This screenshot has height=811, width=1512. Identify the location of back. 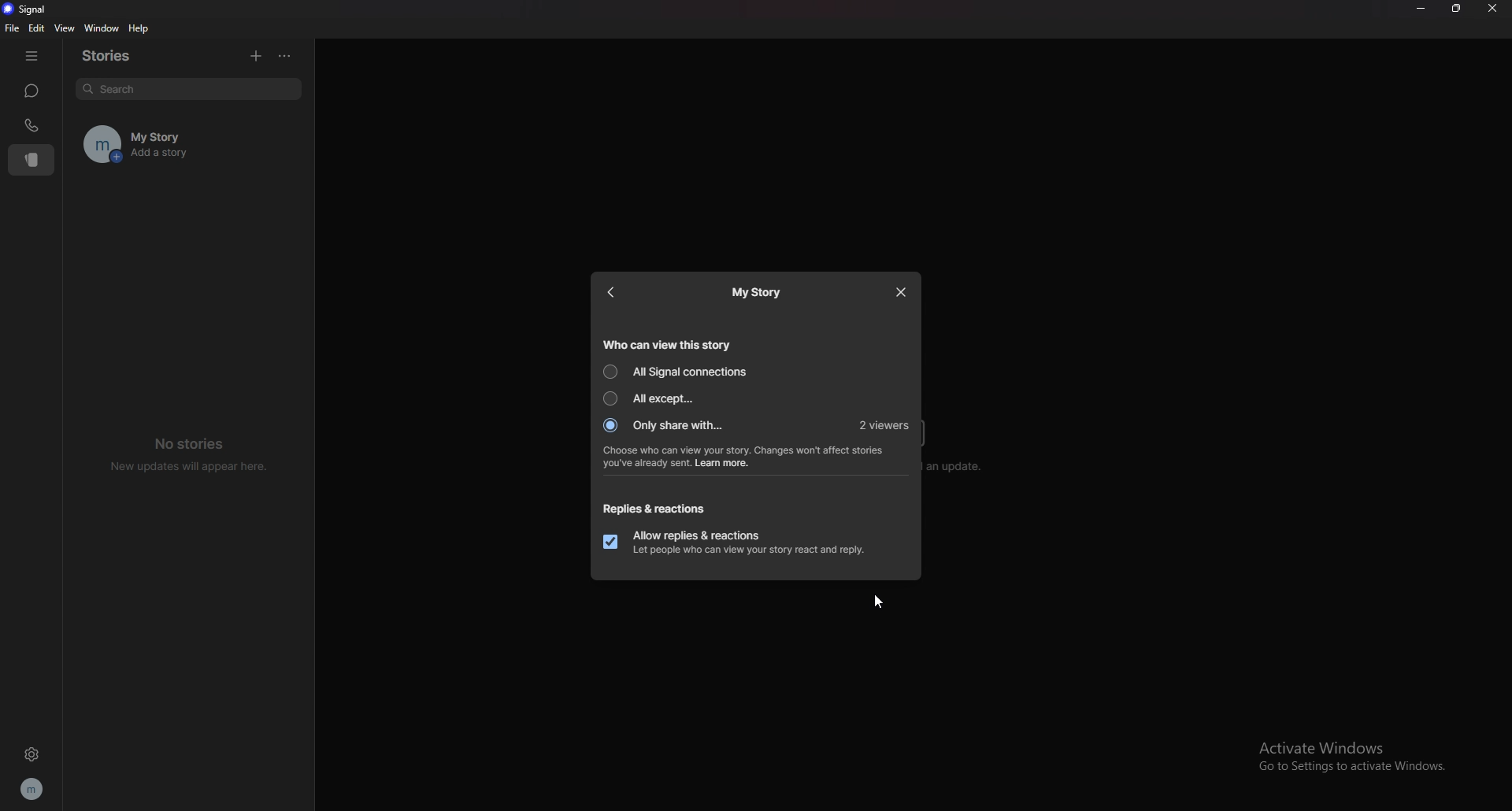
(612, 292).